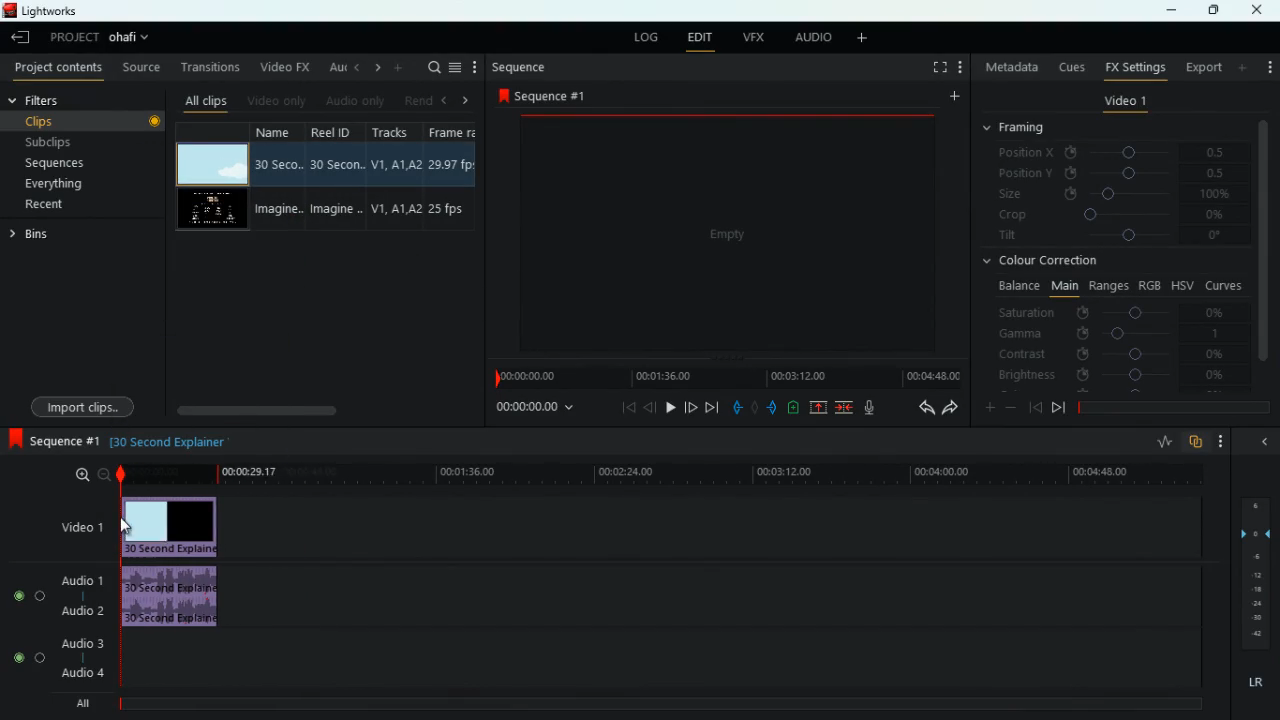 The height and width of the screenshot is (720, 1280). Describe the element at coordinates (952, 97) in the screenshot. I see `add` at that location.